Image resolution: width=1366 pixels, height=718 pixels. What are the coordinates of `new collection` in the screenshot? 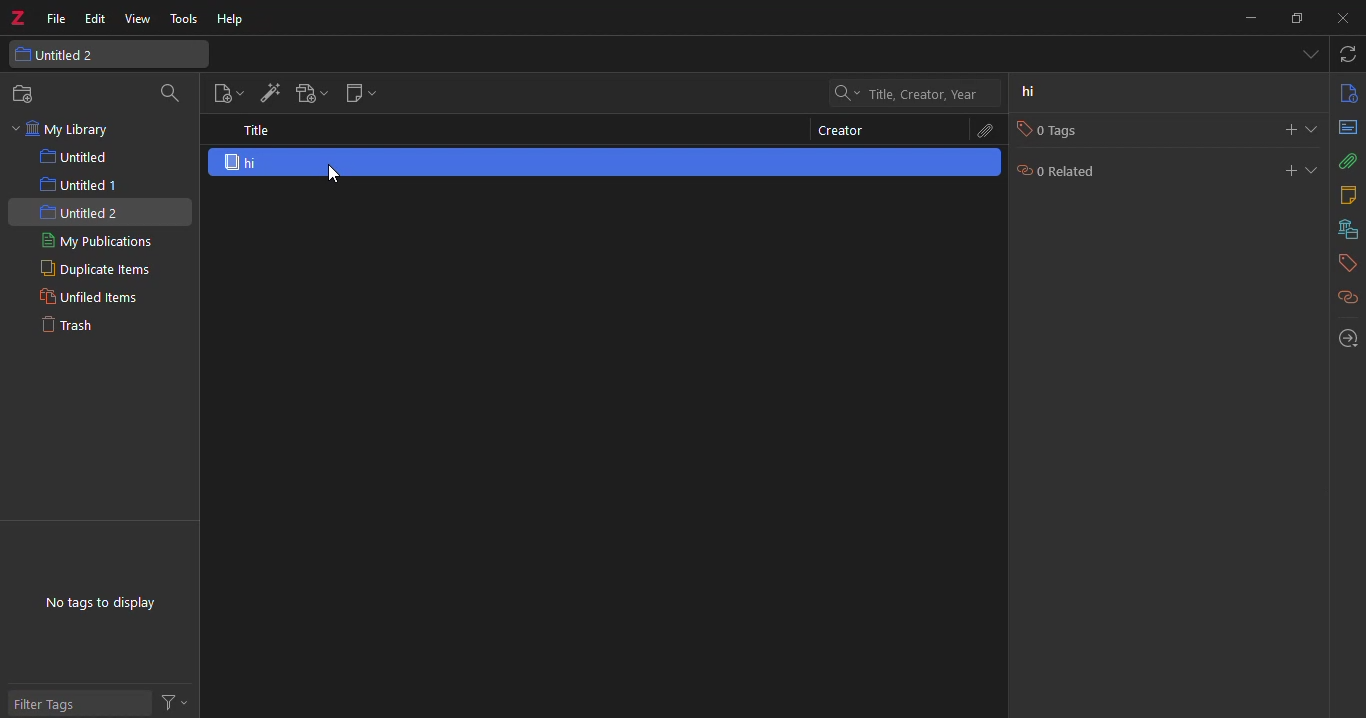 It's located at (25, 94).